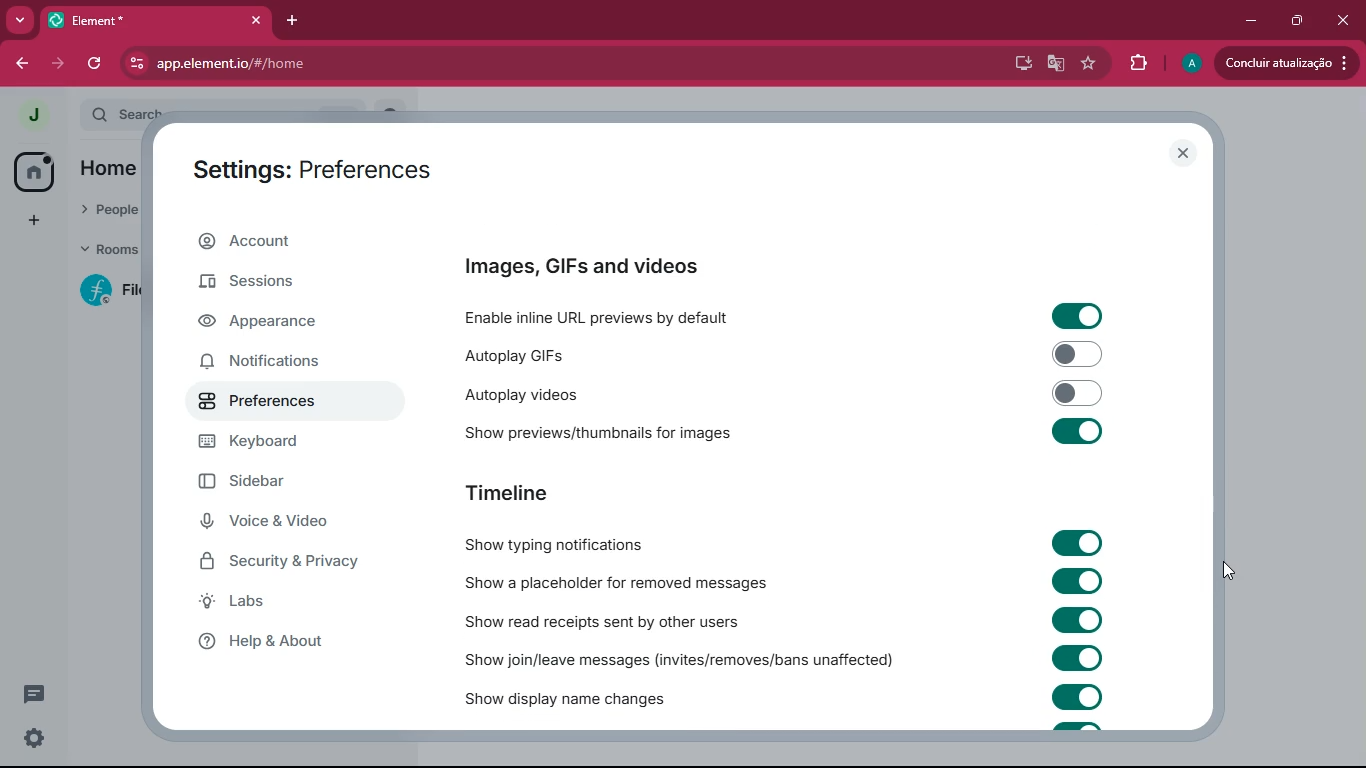 Image resolution: width=1366 pixels, height=768 pixels. I want to click on enable inline URL previews by default, so click(648, 316).